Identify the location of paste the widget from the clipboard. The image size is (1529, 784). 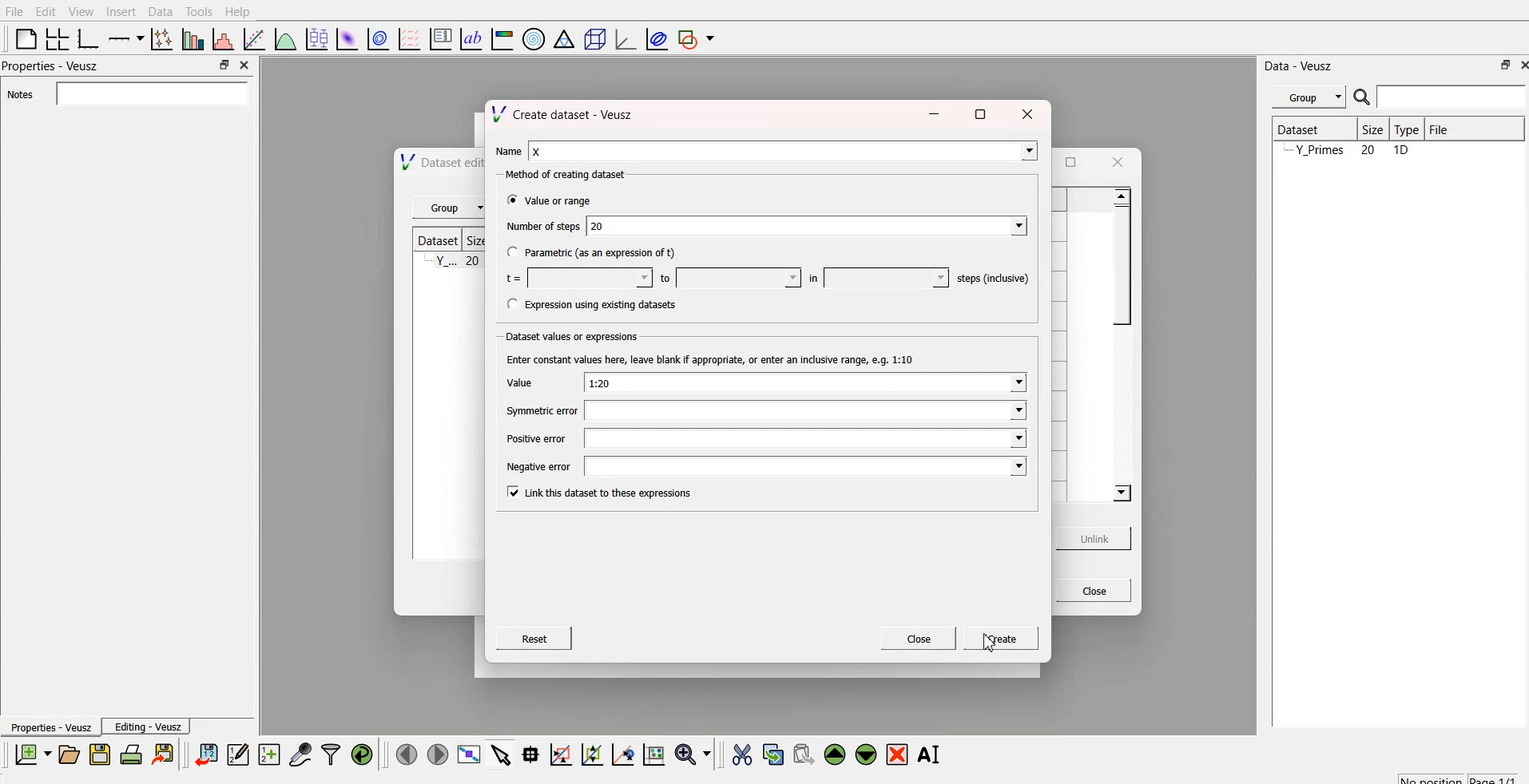
(804, 754).